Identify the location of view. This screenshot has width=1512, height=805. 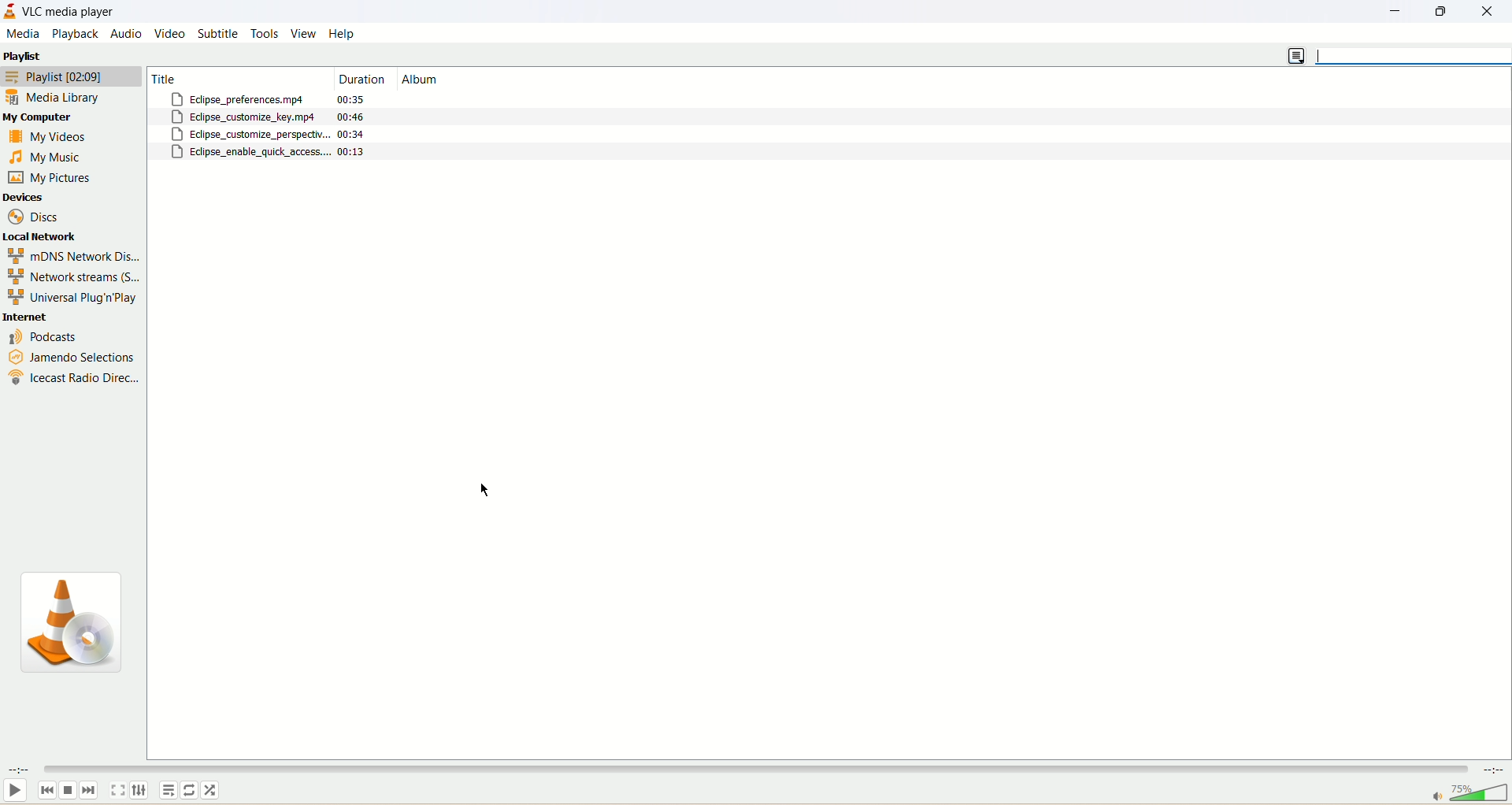
(301, 33).